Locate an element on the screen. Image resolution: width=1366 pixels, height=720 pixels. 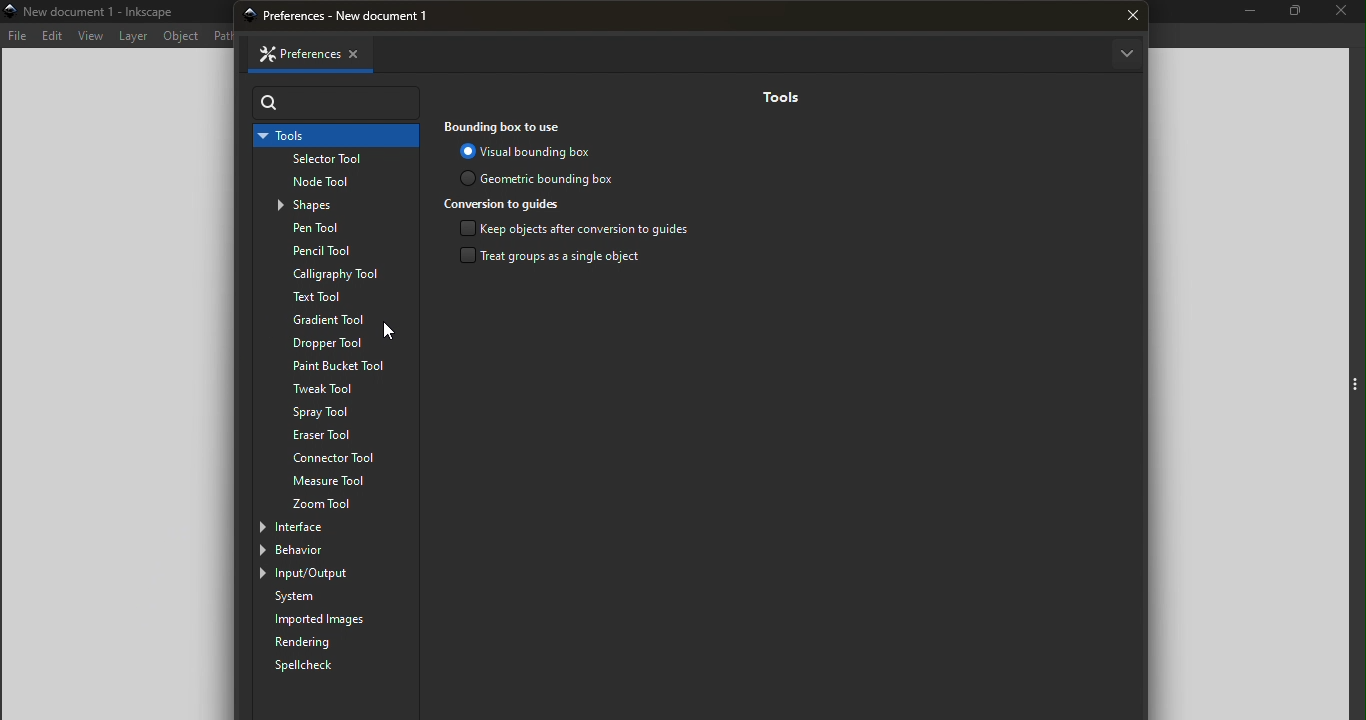
Tools is located at coordinates (778, 97).